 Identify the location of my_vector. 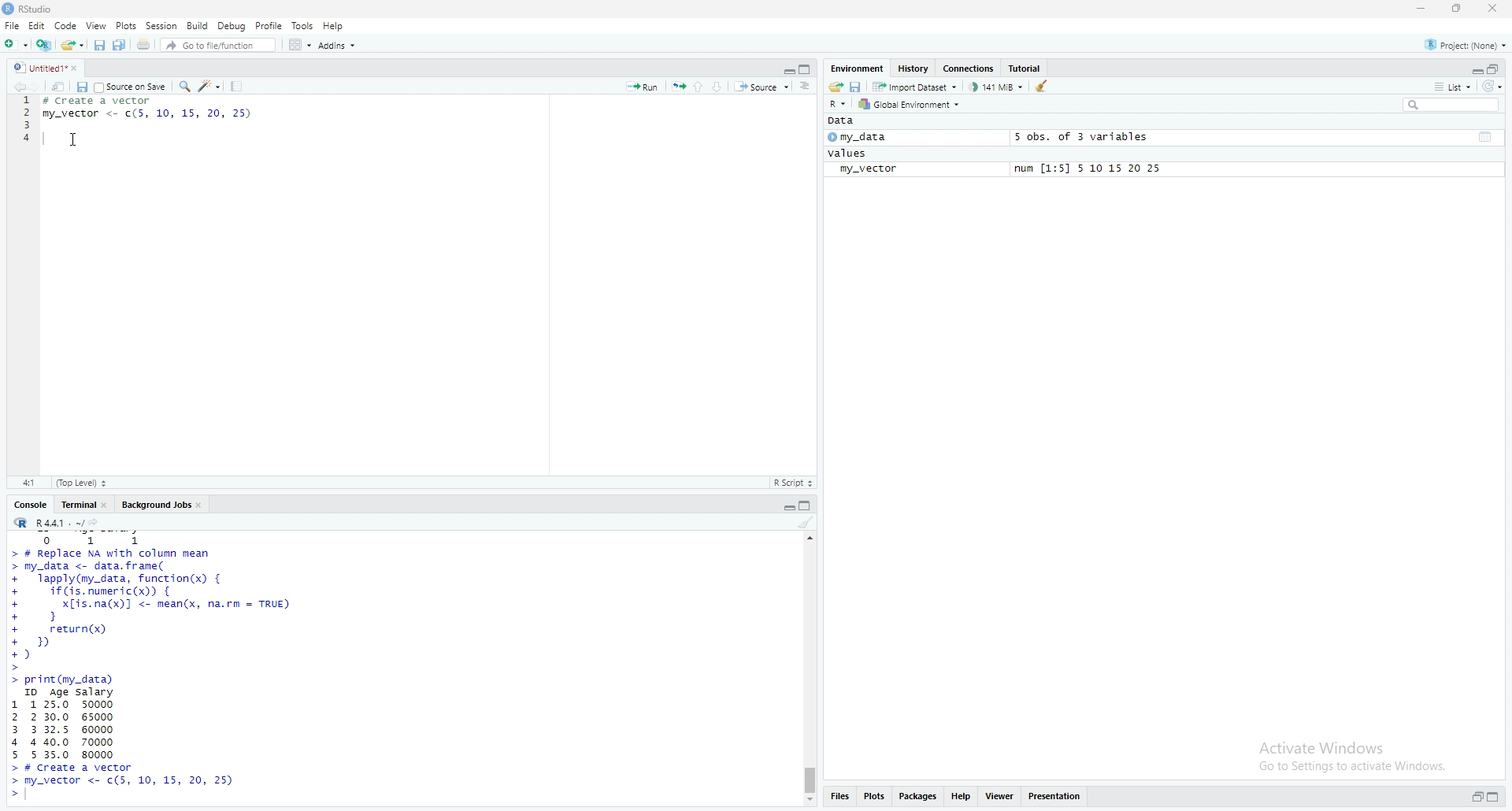
(869, 170).